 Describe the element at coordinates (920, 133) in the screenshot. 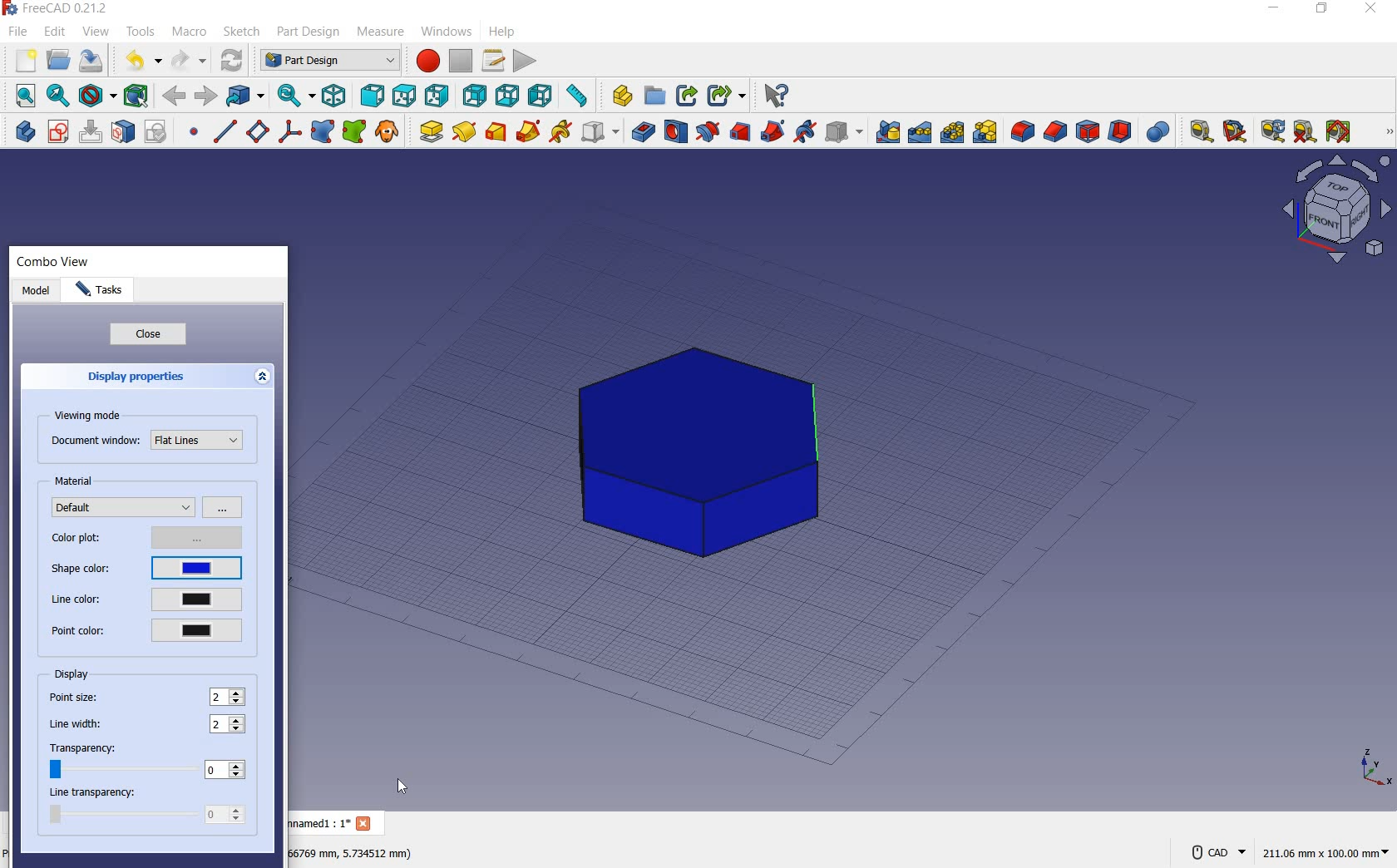

I see `linearpattern` at that location.